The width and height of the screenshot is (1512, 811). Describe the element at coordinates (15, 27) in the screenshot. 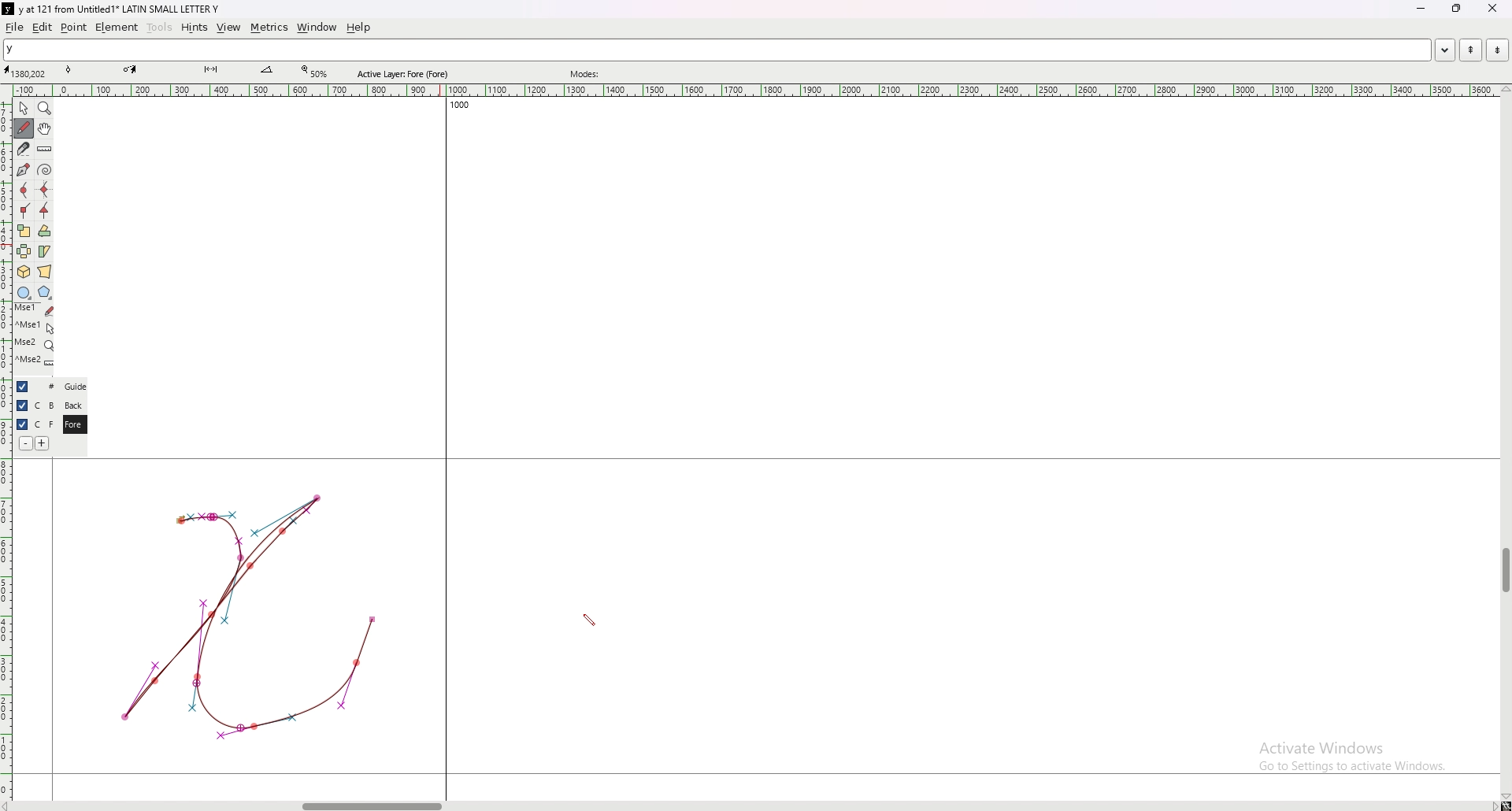

I see `file` at that location.